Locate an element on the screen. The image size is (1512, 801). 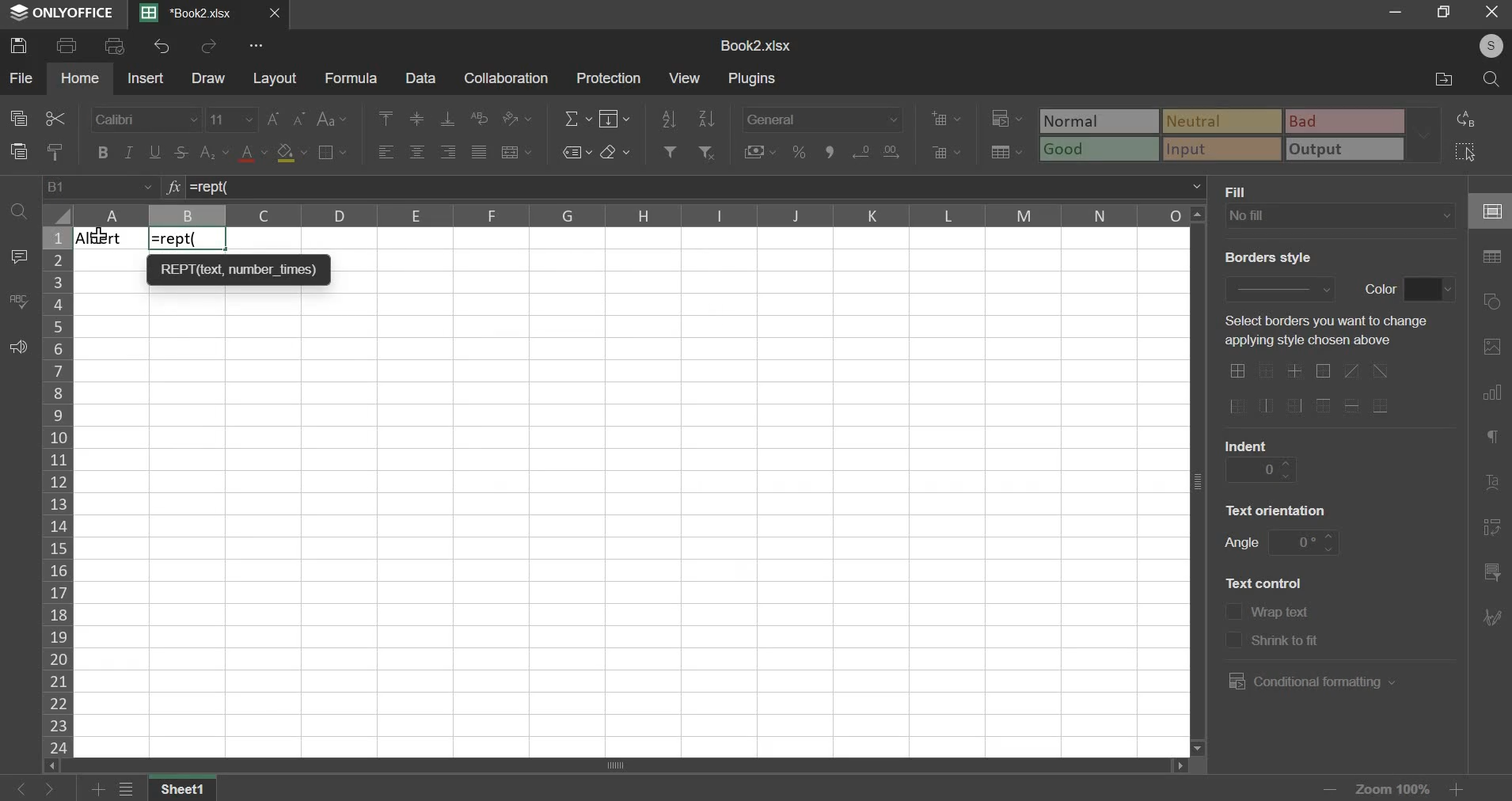
file is located at coordinates (21, 77).